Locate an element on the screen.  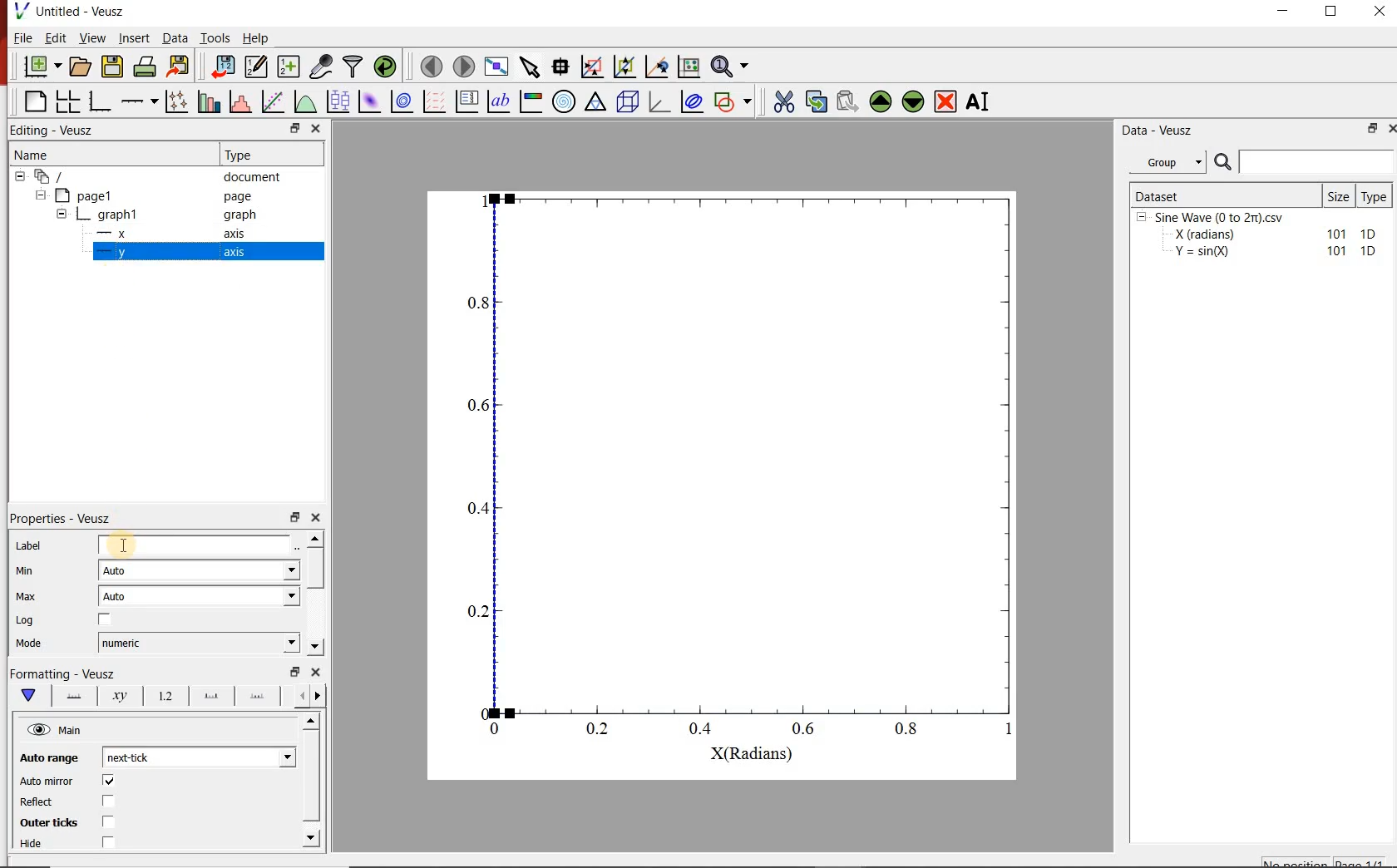
plot key is located at coordinates (468, 101).